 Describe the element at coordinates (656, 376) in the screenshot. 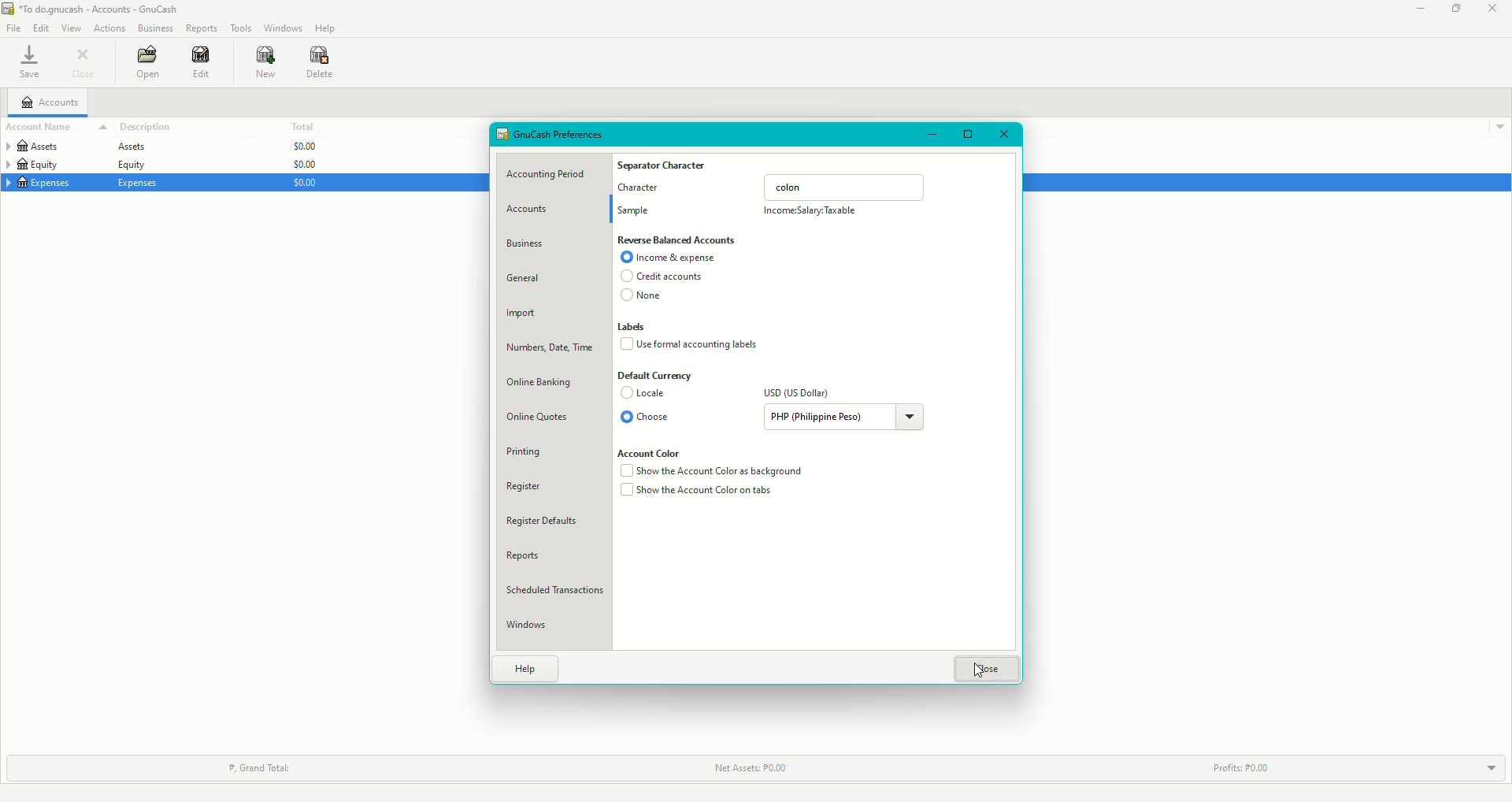

I see `Default Currency` at that location.